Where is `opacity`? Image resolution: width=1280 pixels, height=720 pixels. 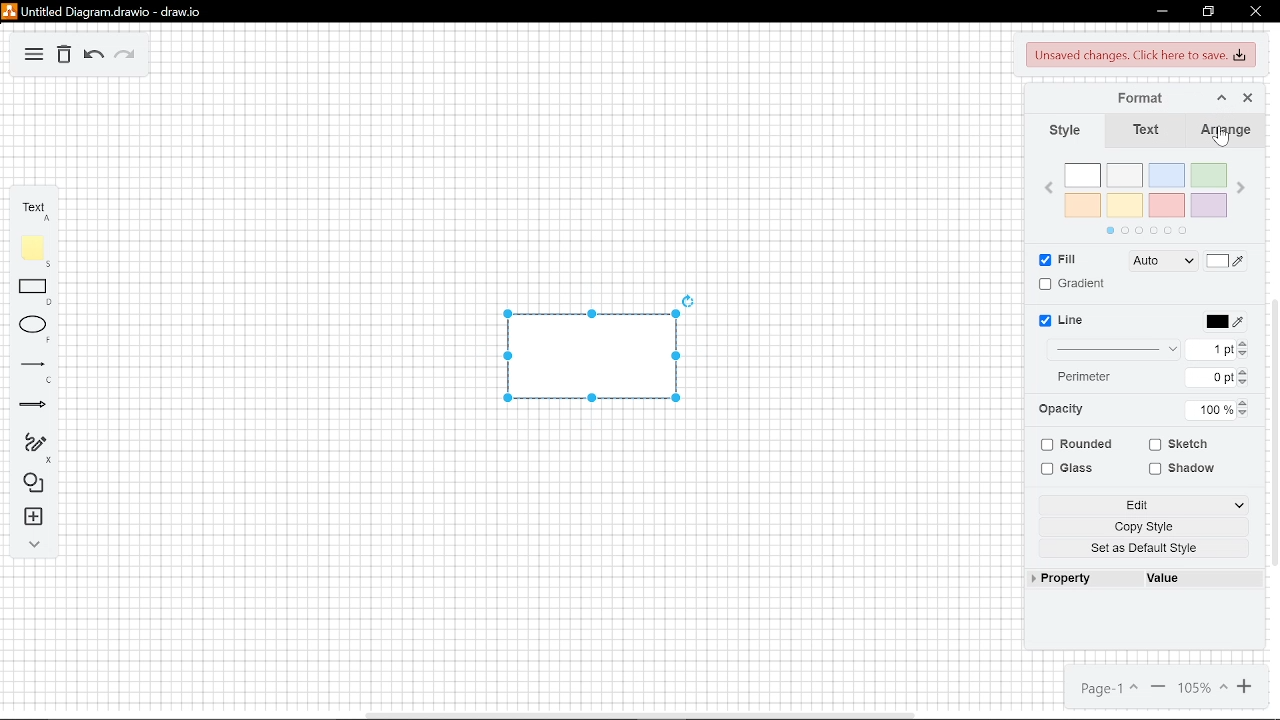
opacity is located at coordinates (1061, 411).